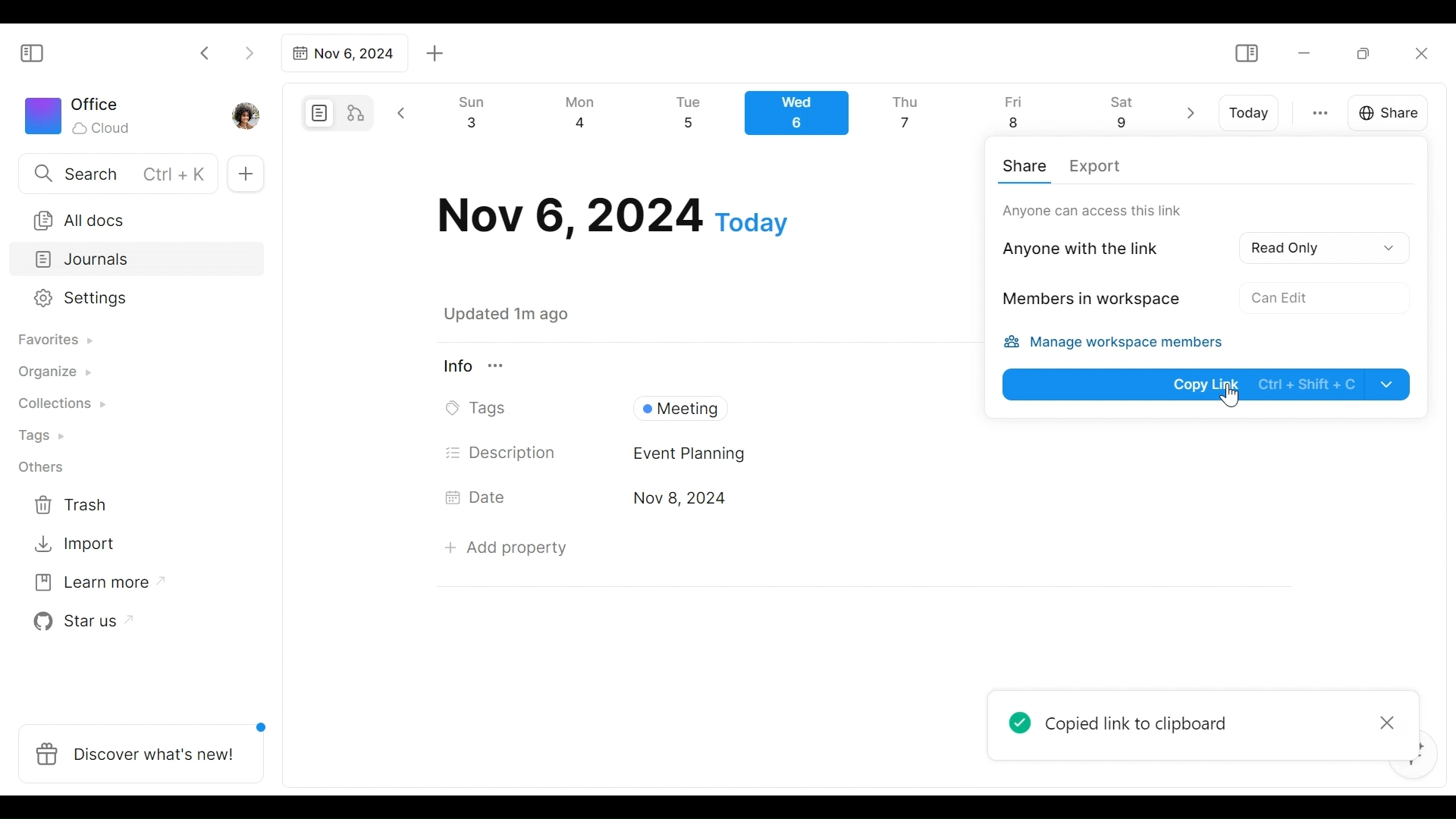 The image size is (1456, 819). I want to click on Learn more, so click(92, 585).